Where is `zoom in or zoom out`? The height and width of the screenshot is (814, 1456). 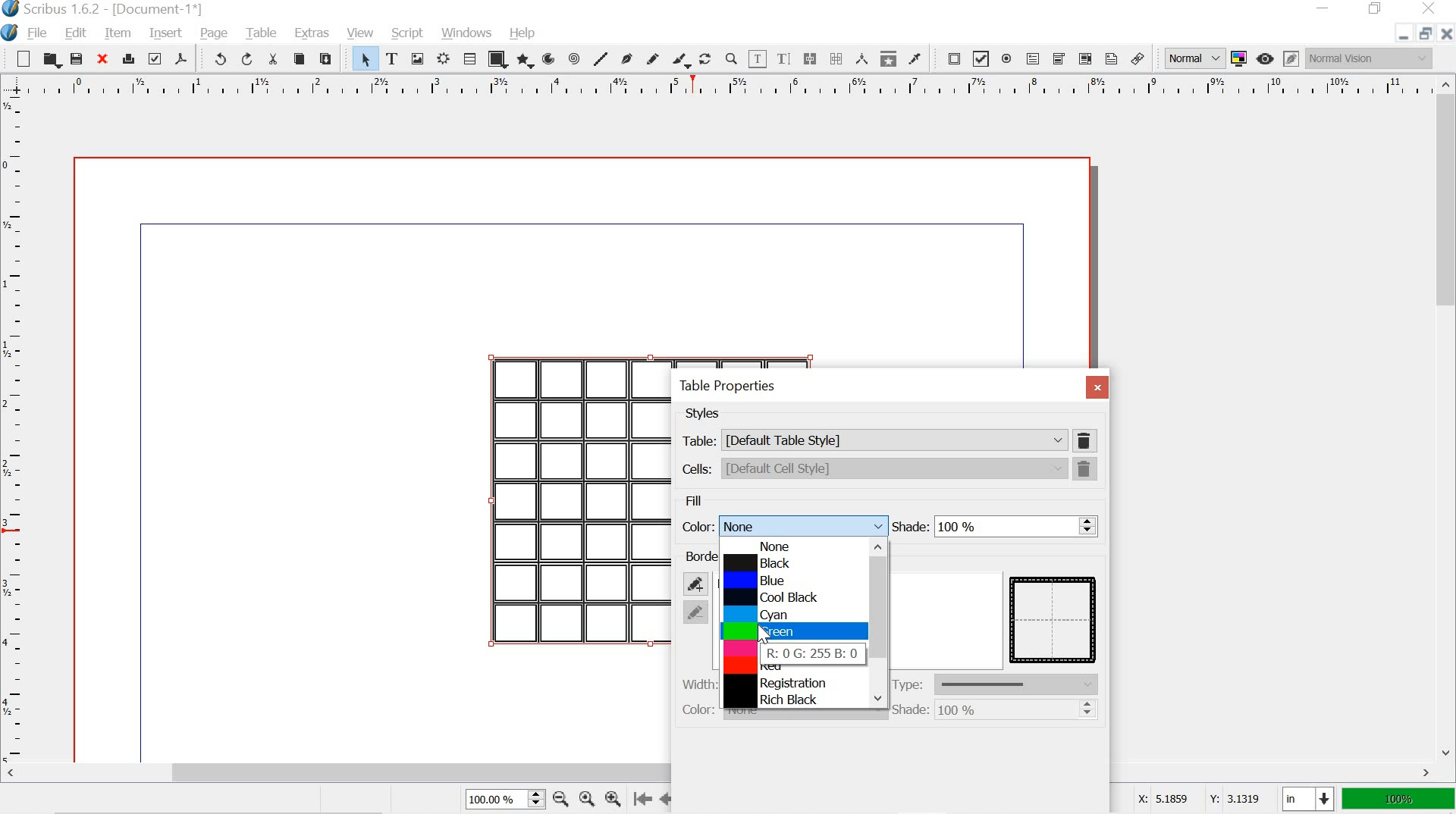
zoom in or zoom out is located at coordinates (730, 58).